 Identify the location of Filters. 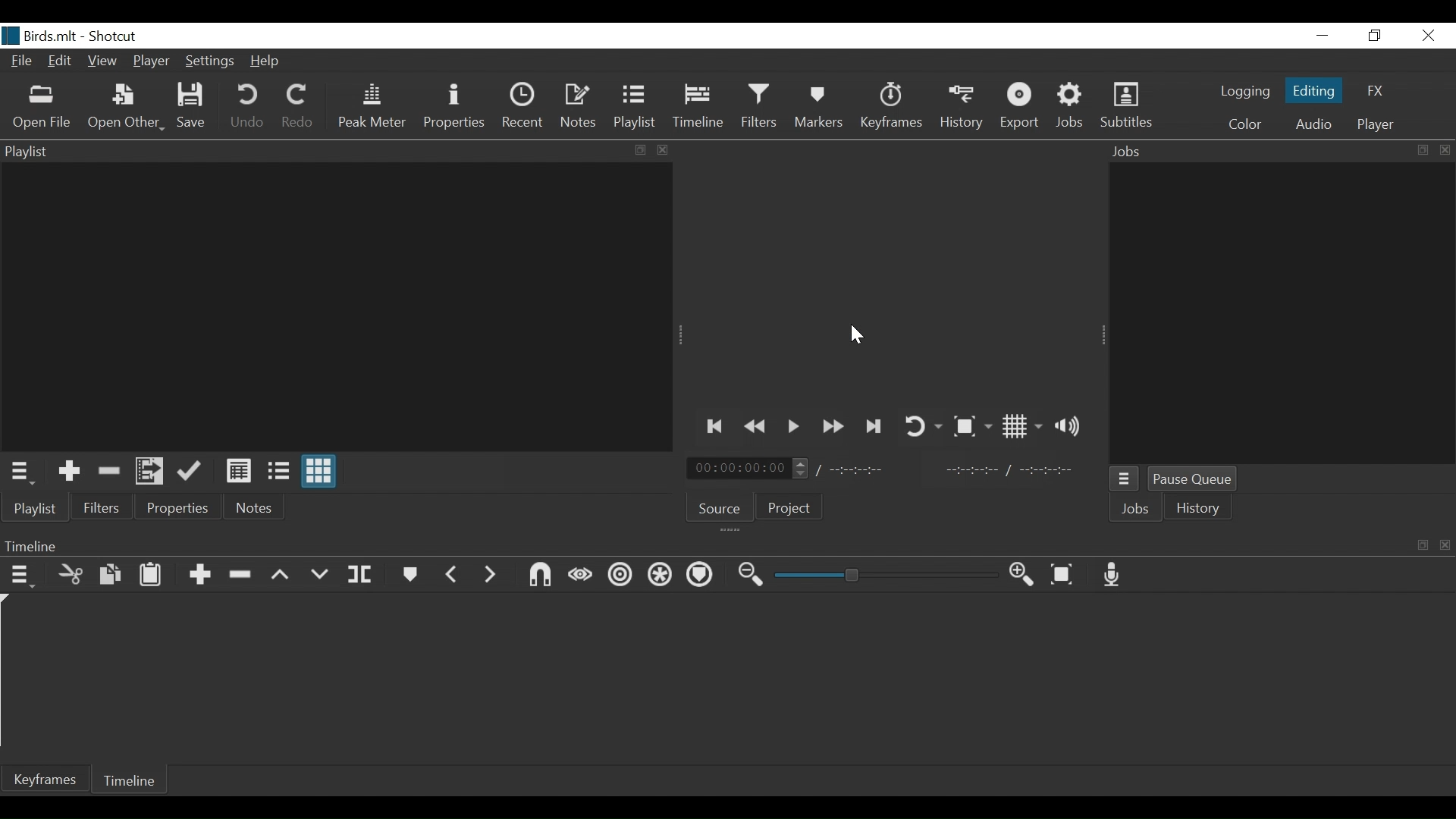
(102, 507).